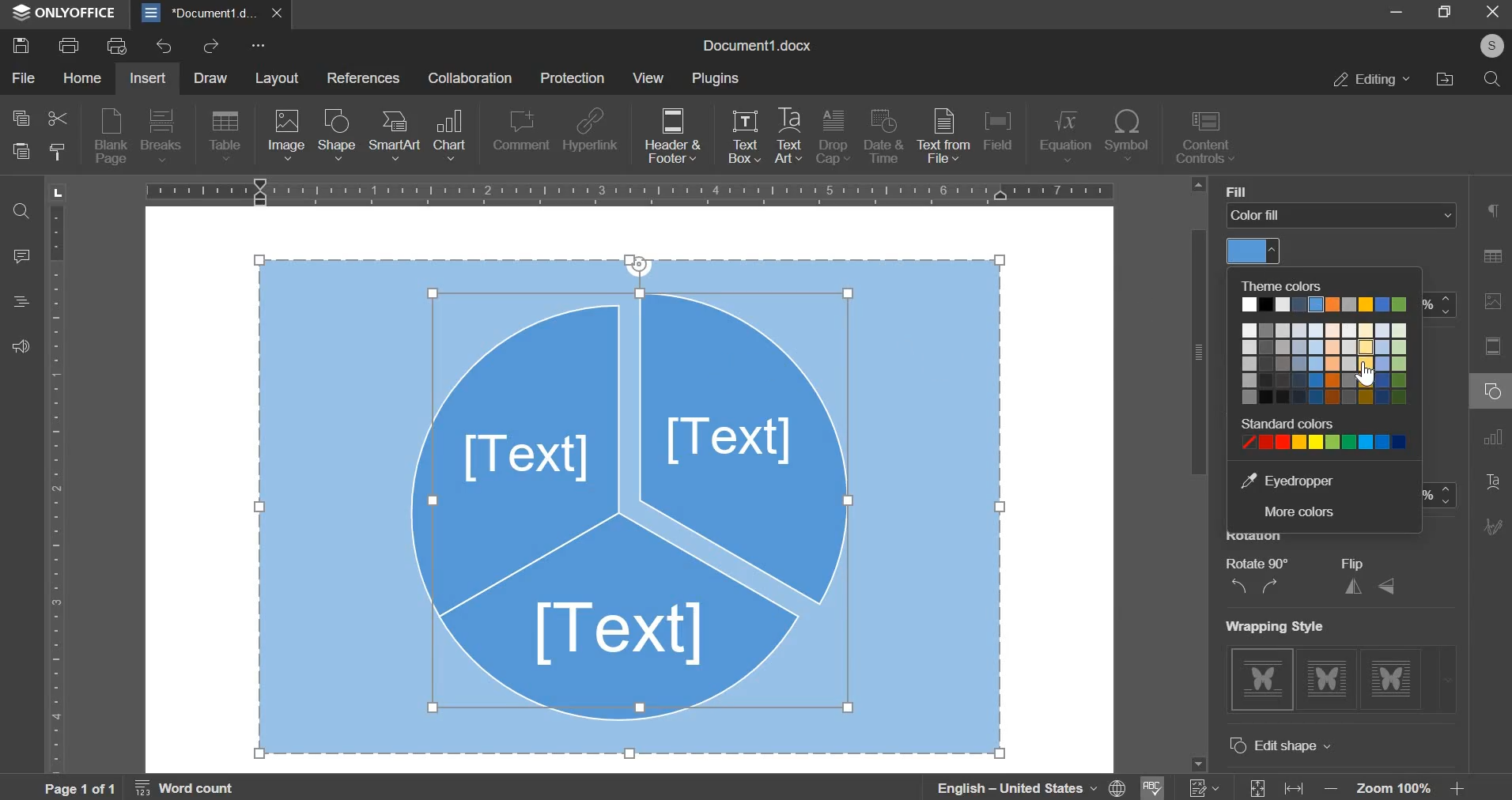 This screenshot has height=800, width=1512. Describe the element at coordinates (1210, 138) in the screenshot. I see `content controls` at that location.